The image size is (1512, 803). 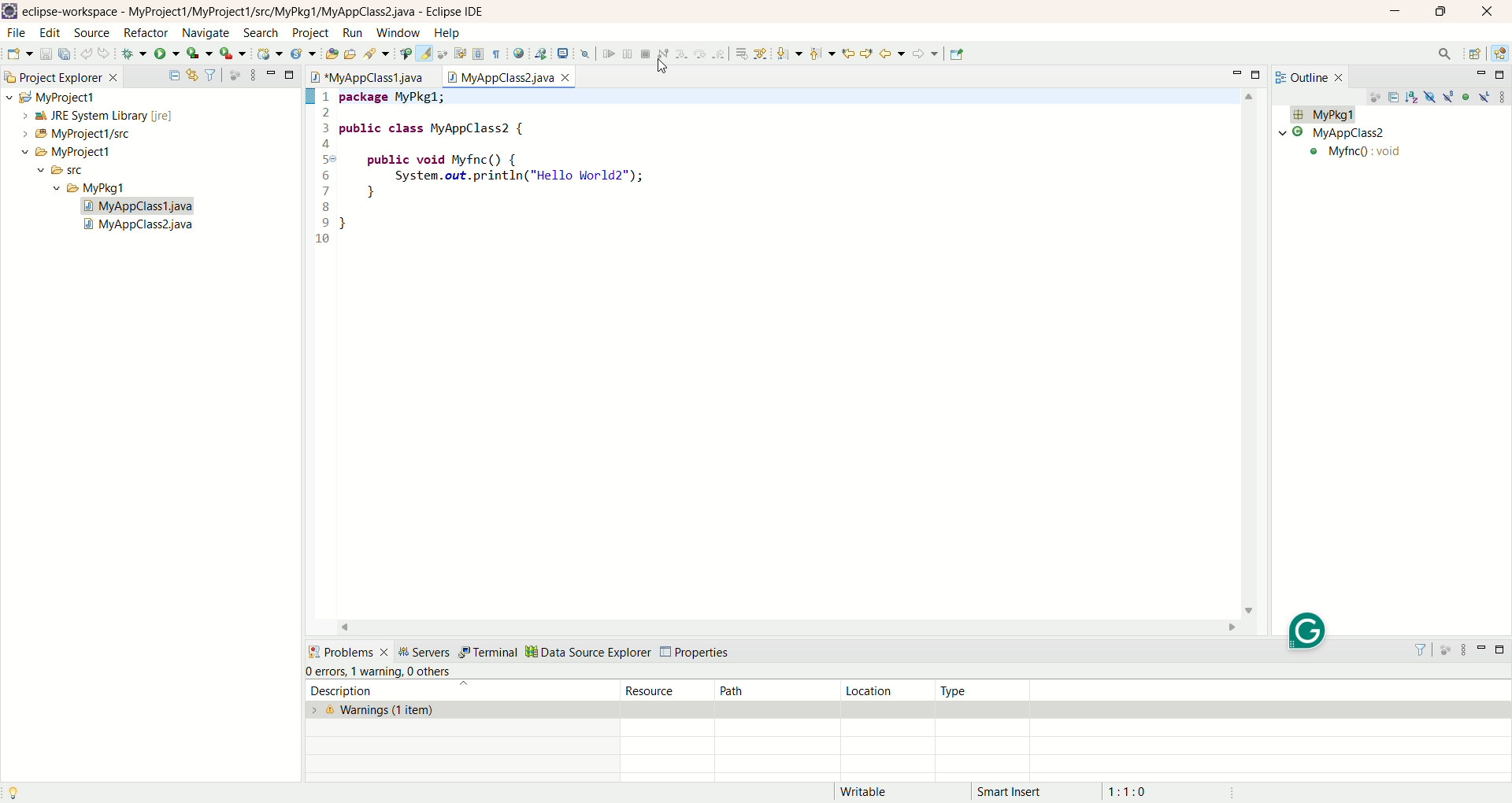 What do you see at coordinates (168, 54) in the screenshot?
I see `run` at bounding box center [168, 54].